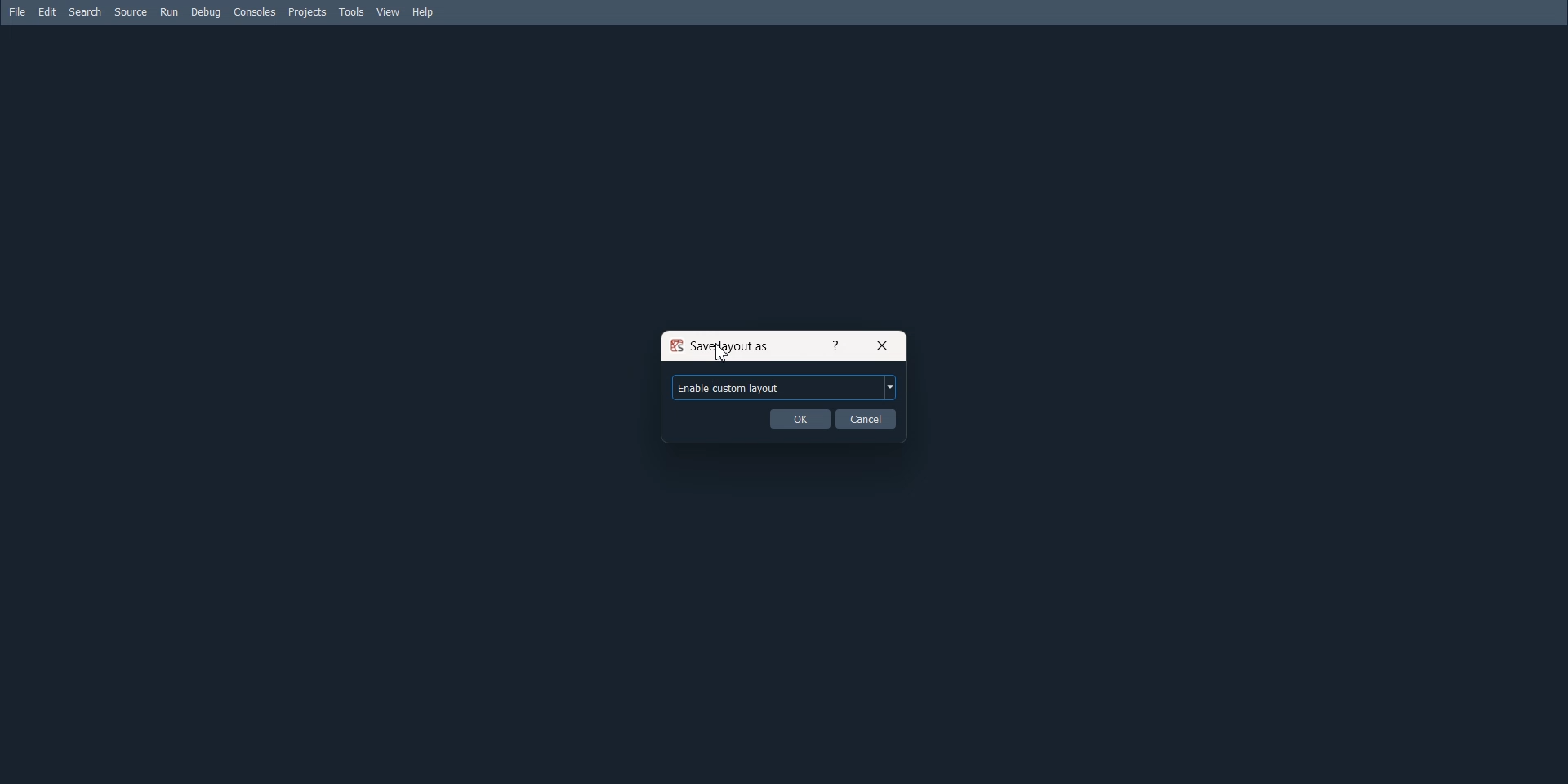  What do you see at coordinates (883, 345) in the screenshot?
I see `Close` at bounding box center [883, 345].